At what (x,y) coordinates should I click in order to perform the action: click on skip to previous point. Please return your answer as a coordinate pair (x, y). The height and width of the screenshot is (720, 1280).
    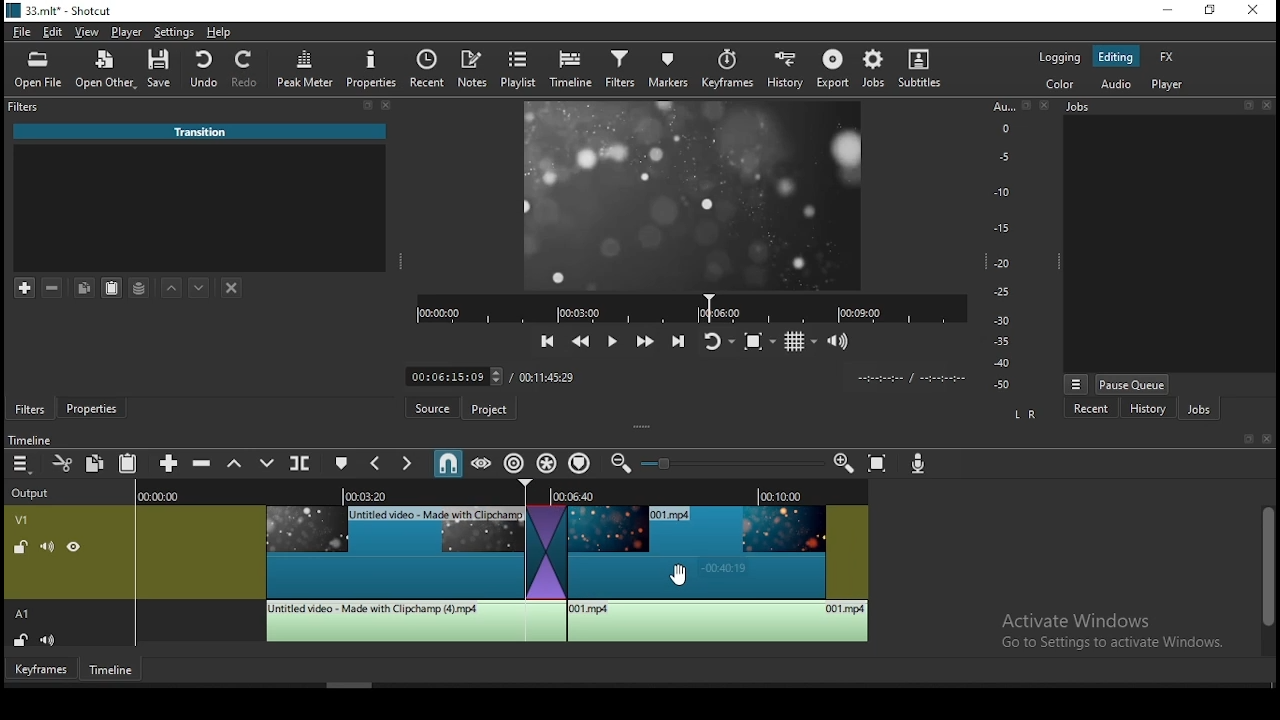
    Looking at the image, I should click on (547, 338).